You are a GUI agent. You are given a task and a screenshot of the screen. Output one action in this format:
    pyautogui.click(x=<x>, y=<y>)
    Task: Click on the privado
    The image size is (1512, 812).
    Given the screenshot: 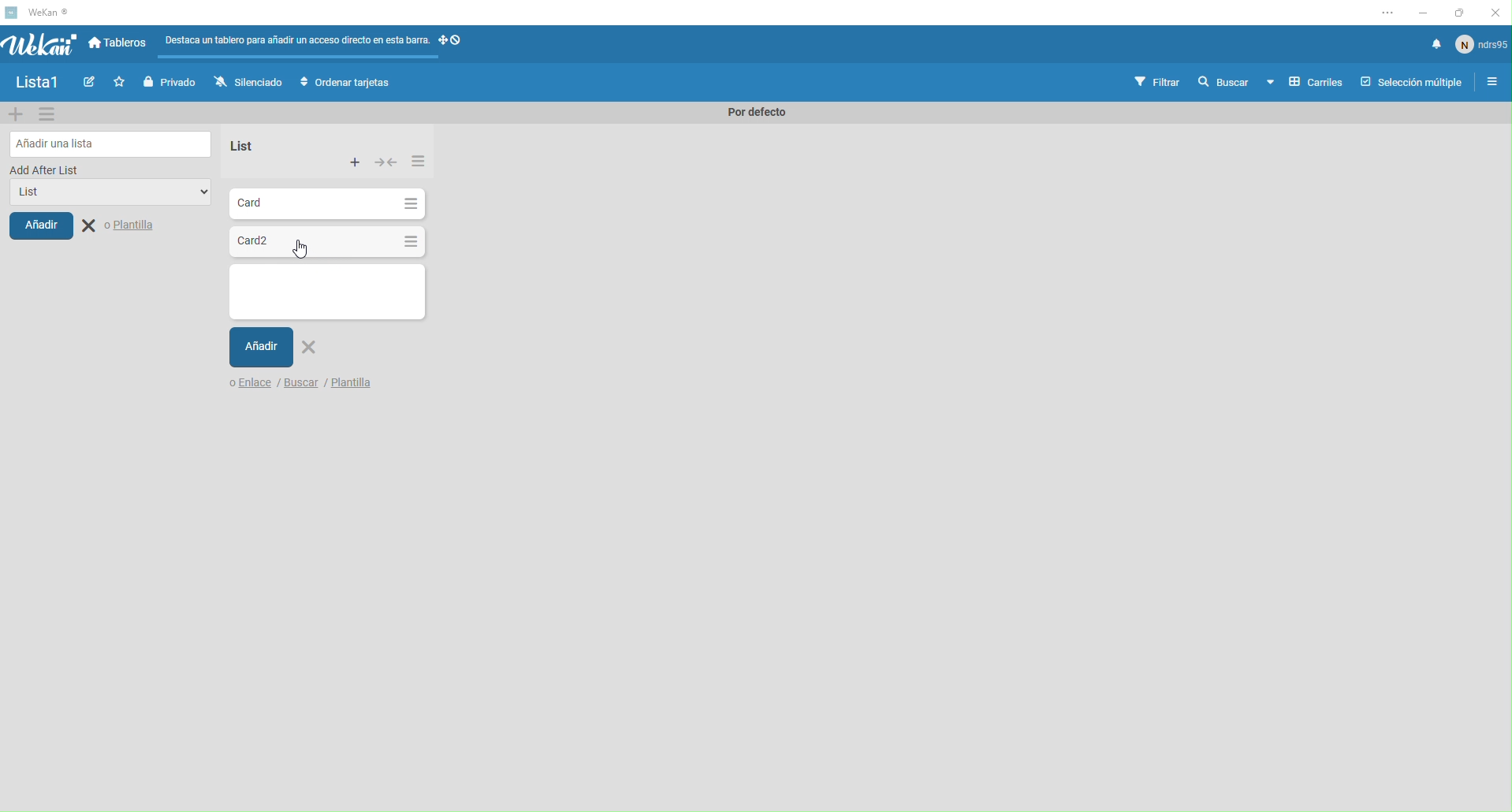 What is the action you would take?
    pyautogui.click(x=168, y=82)
    